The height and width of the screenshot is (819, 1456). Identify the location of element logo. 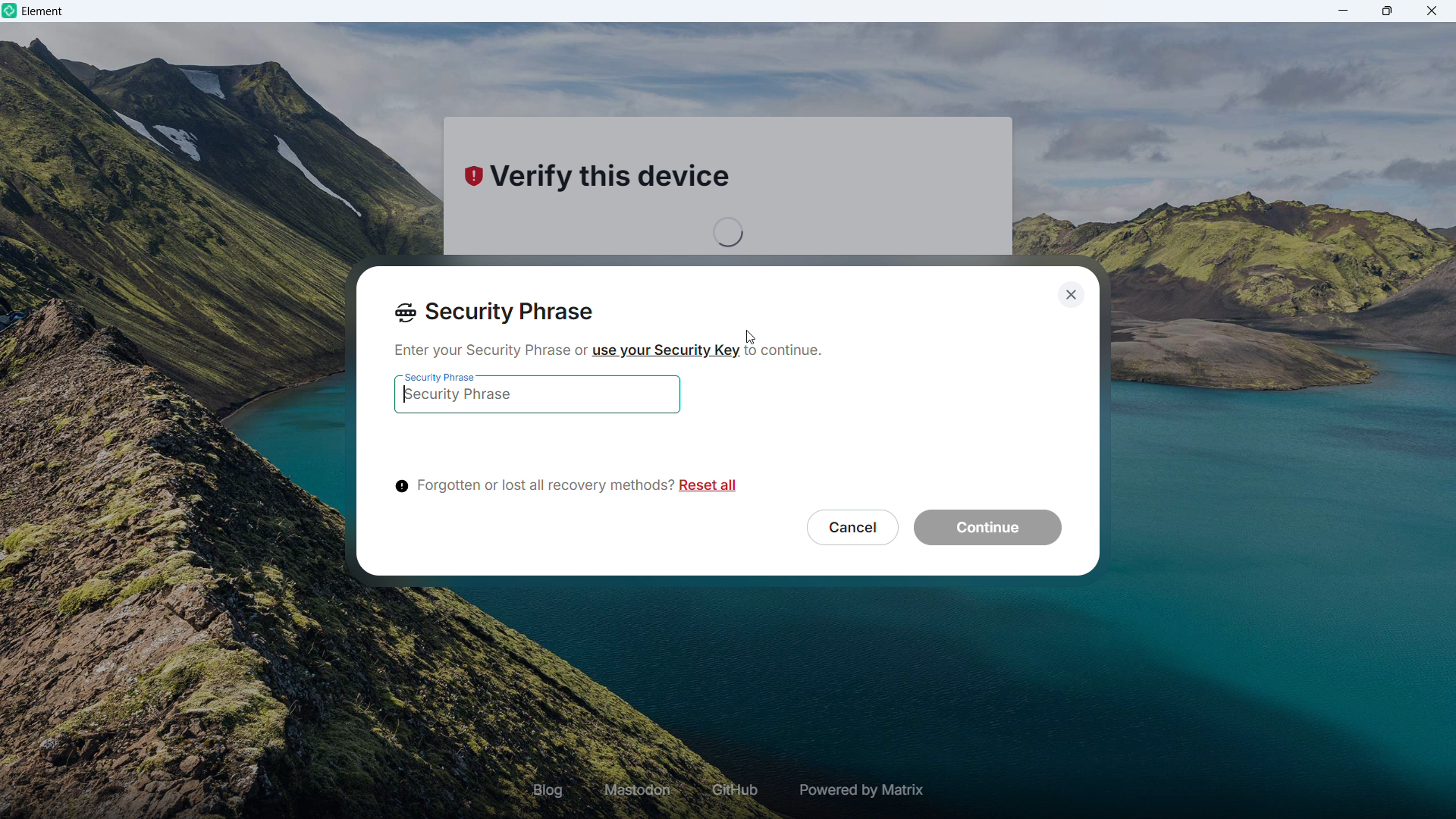
(11, 11).